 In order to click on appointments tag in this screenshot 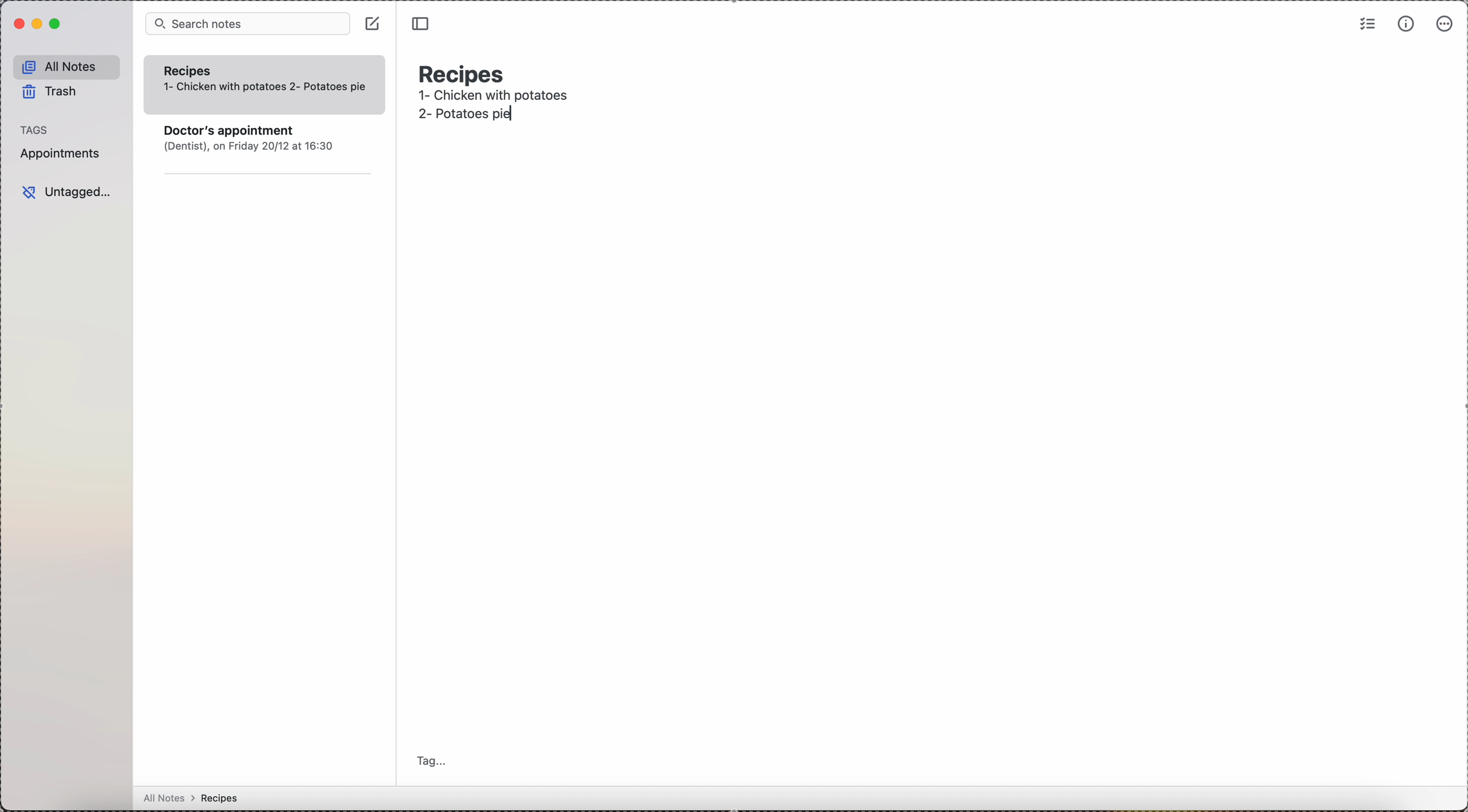, I will do `click(63, 156)`.